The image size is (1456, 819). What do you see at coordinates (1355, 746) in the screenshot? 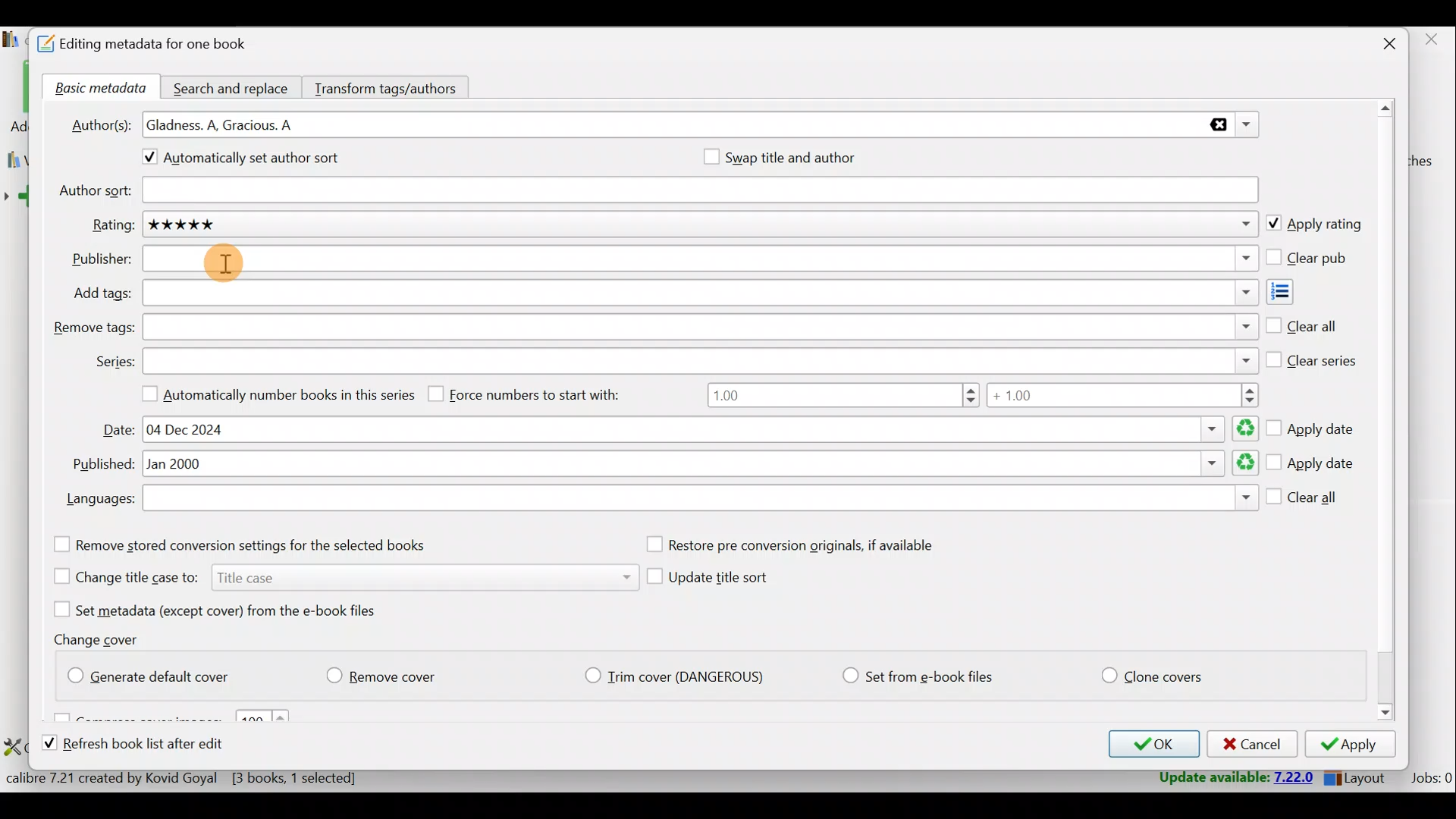
I see `Apply` at bounding box center [1355, 746].